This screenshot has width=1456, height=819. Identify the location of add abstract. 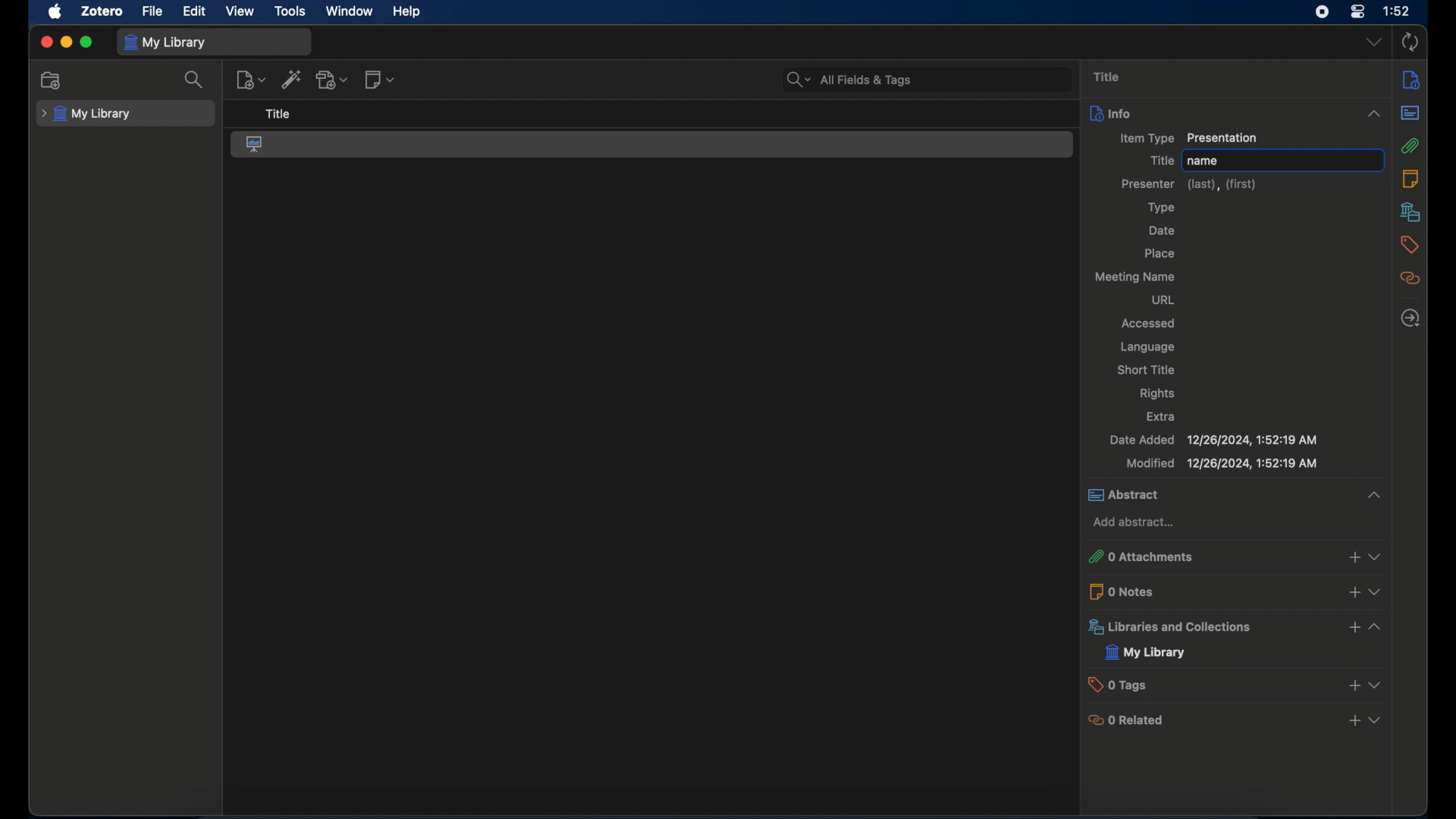
(1136, 522).